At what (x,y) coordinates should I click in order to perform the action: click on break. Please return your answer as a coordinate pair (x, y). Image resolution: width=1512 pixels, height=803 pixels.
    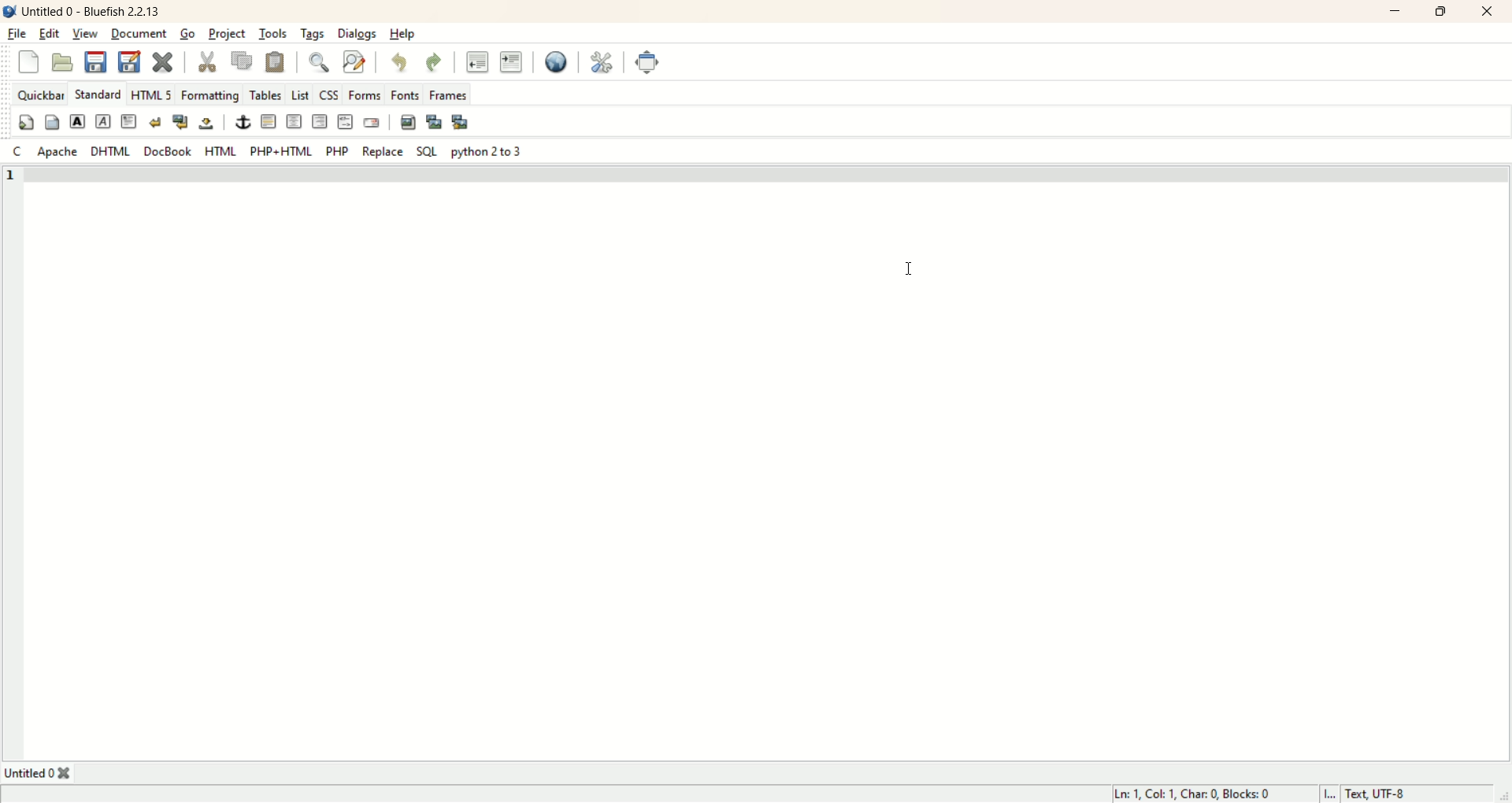
    Looking at the image, I should click on (154, 122).